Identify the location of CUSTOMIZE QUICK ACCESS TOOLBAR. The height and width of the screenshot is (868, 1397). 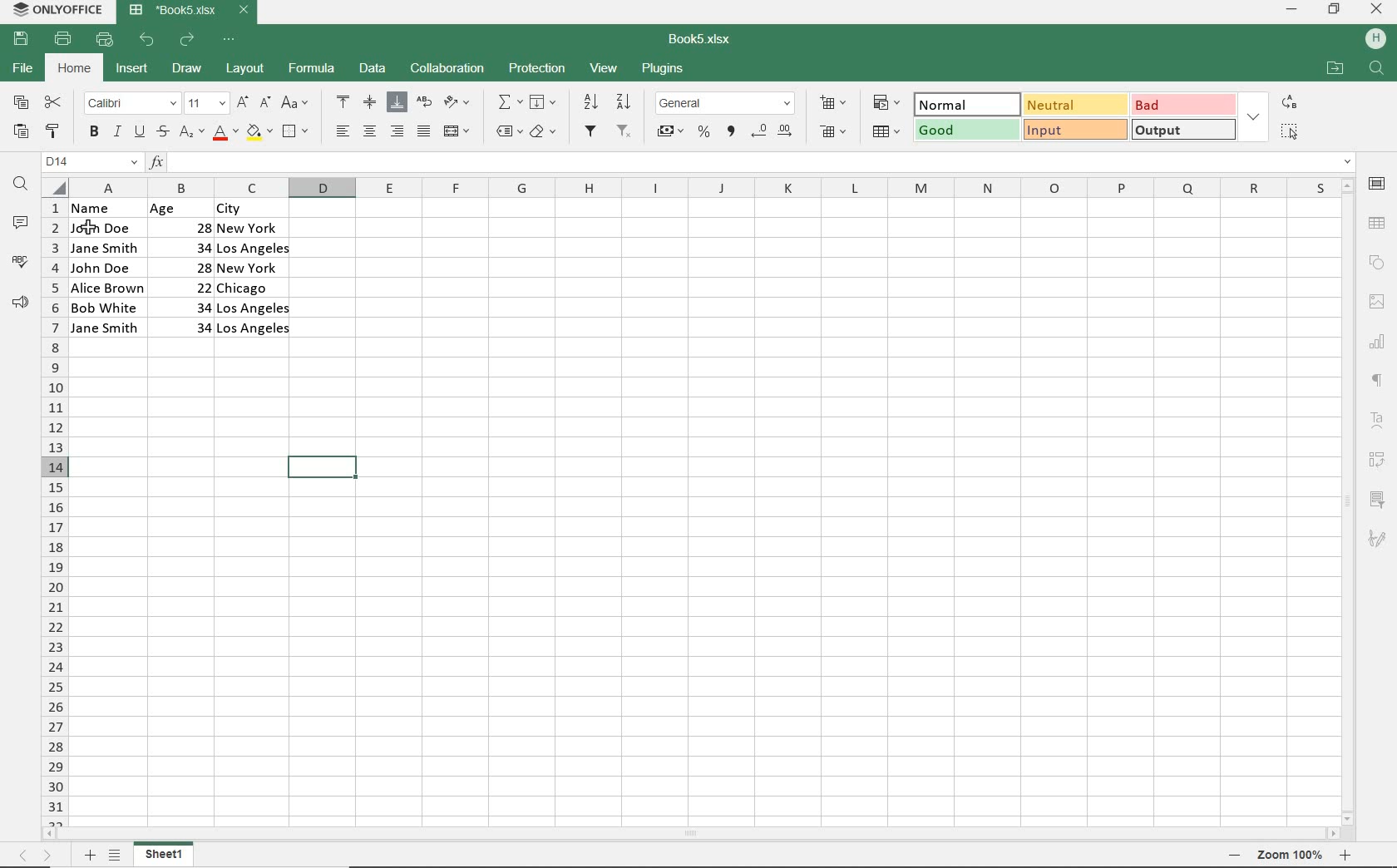
(234, 38).